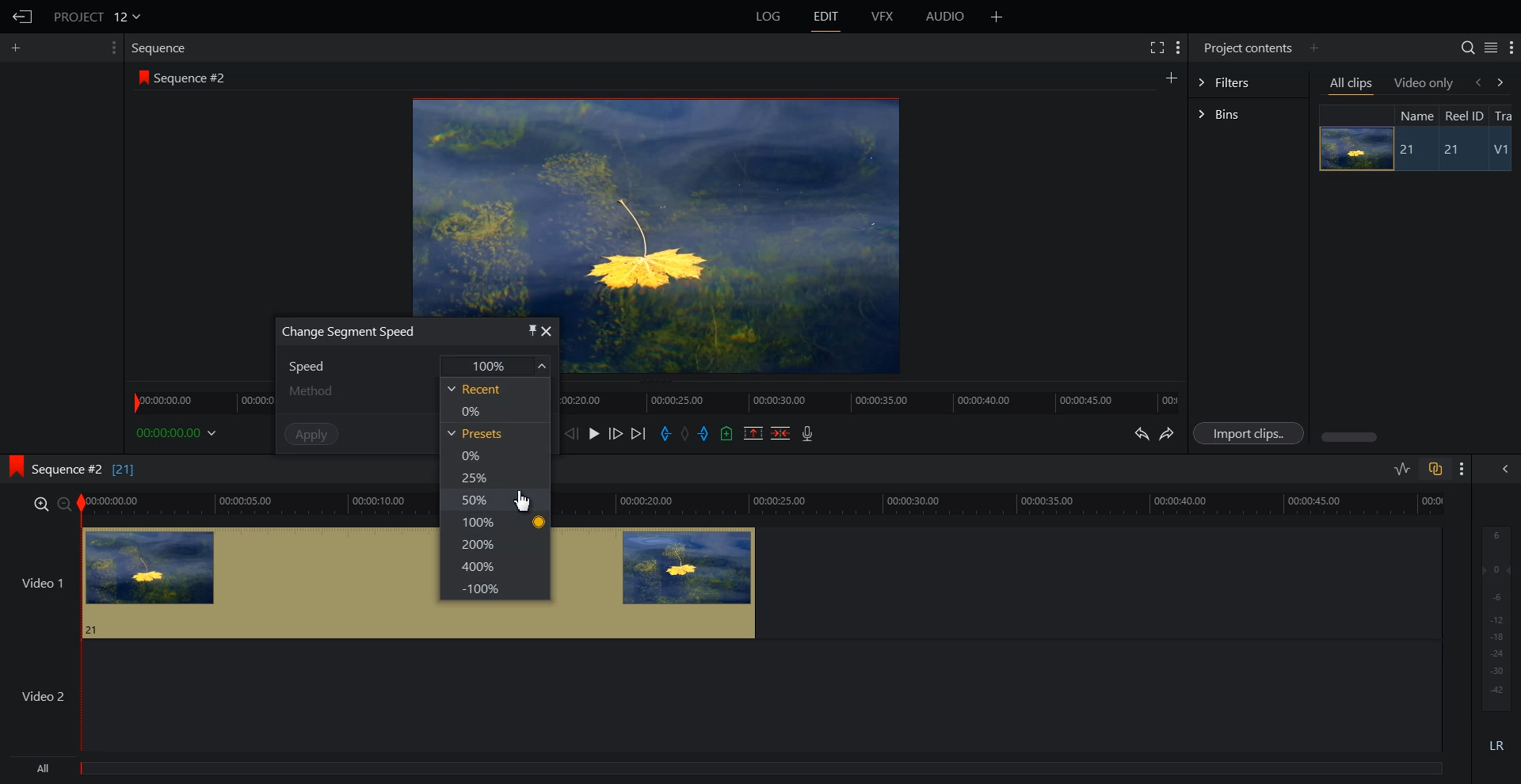 The height and width of the screenshot is (784, 1521). Describe the element at coordinates (806, 433) in the screenshot. I see `Record Audio` at that location.